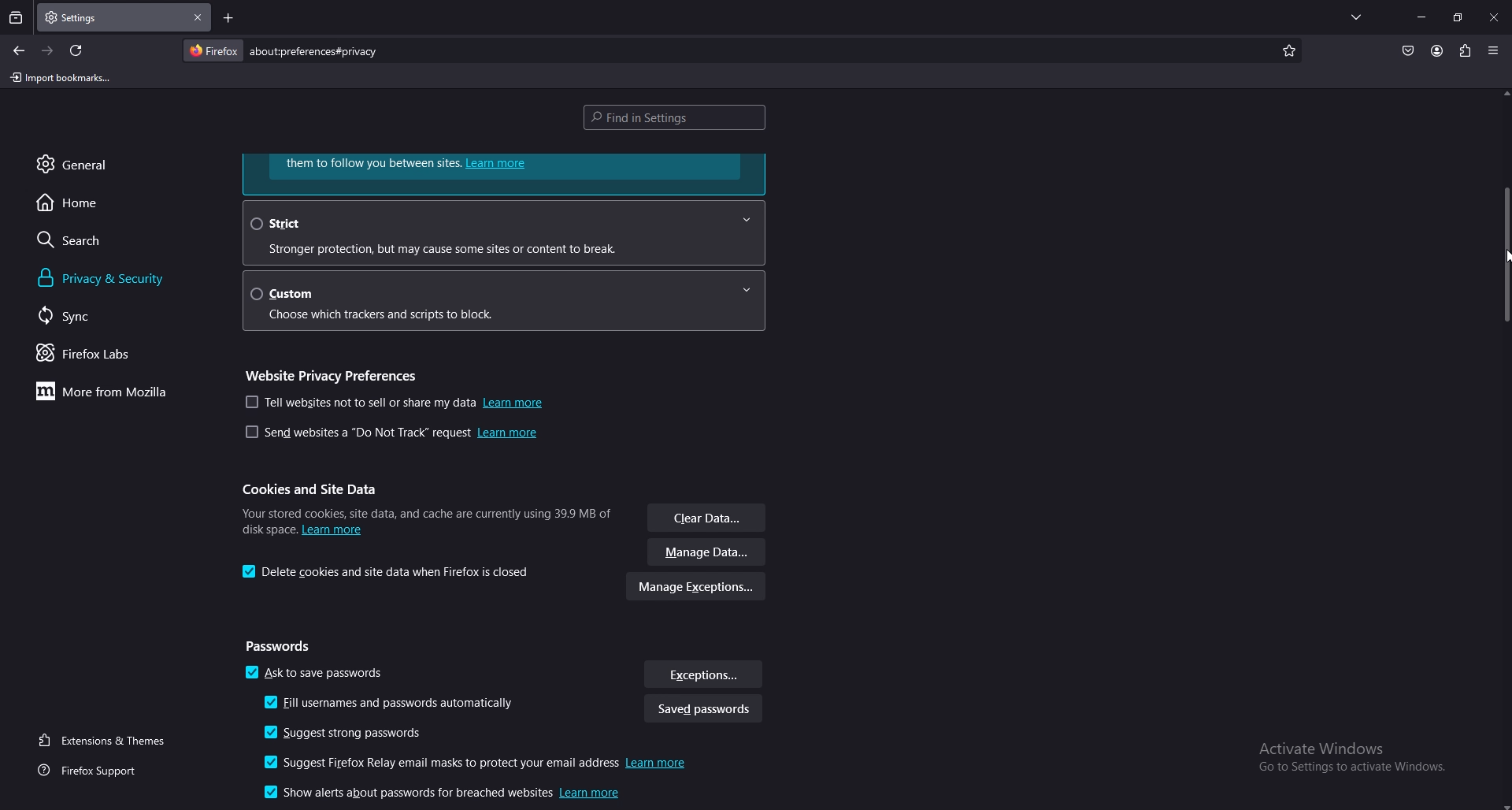 The image size is (1512, 810). I want to click on resize, so click(1457, 17).